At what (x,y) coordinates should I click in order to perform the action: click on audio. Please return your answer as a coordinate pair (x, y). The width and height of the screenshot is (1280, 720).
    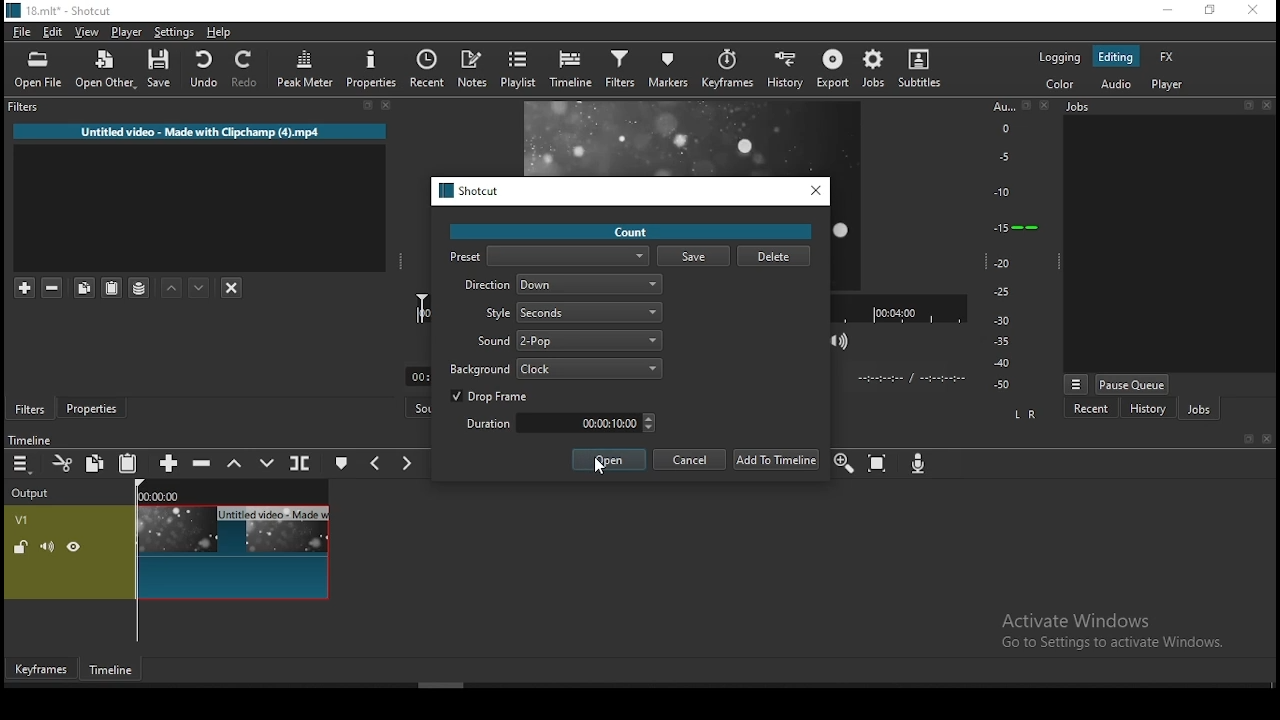
    Looking at the image, I should click on (1121, 85).